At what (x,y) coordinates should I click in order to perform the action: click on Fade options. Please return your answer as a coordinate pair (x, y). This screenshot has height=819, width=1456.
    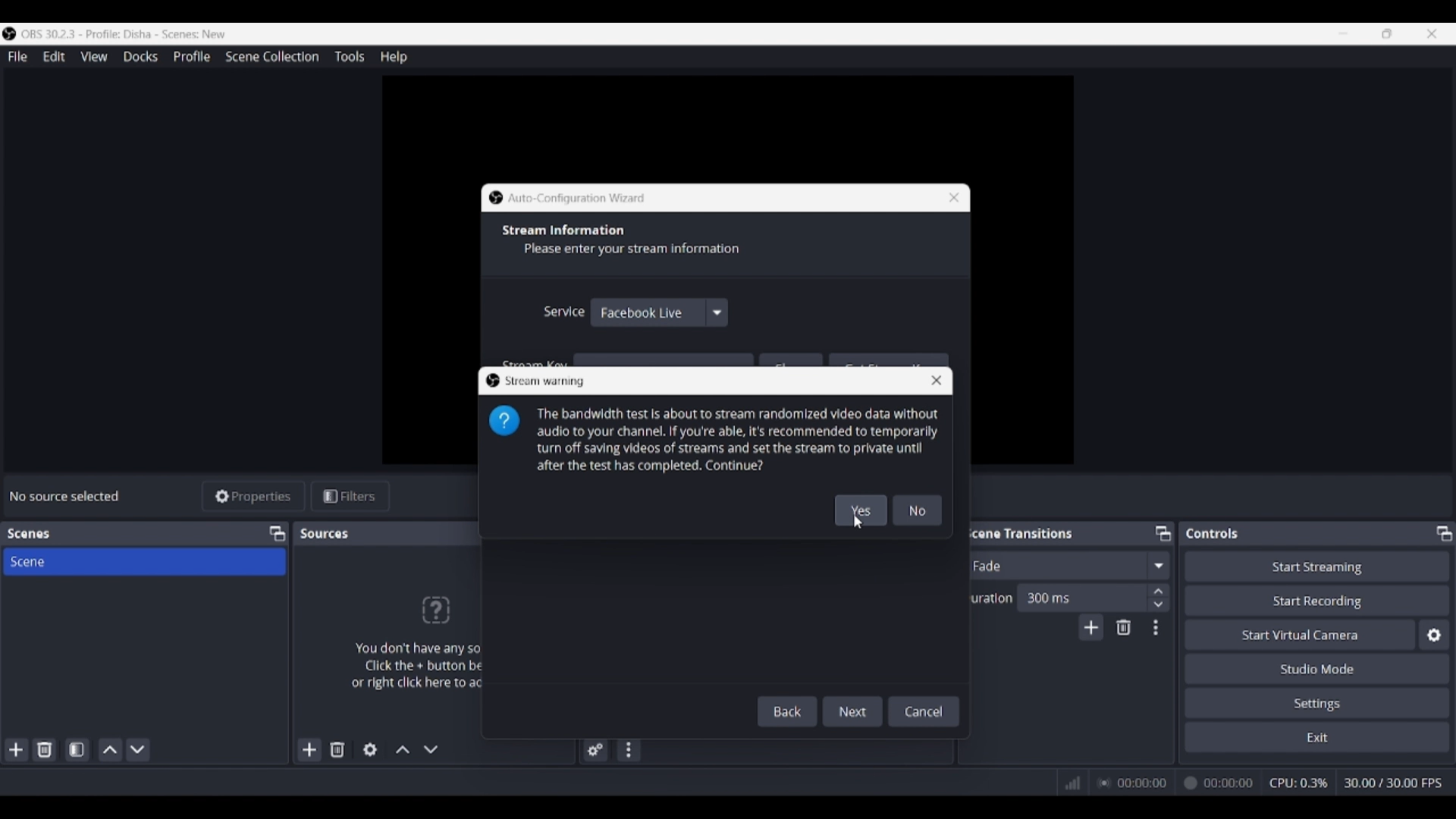
    Looking at the image, I should click on (1158, 565).